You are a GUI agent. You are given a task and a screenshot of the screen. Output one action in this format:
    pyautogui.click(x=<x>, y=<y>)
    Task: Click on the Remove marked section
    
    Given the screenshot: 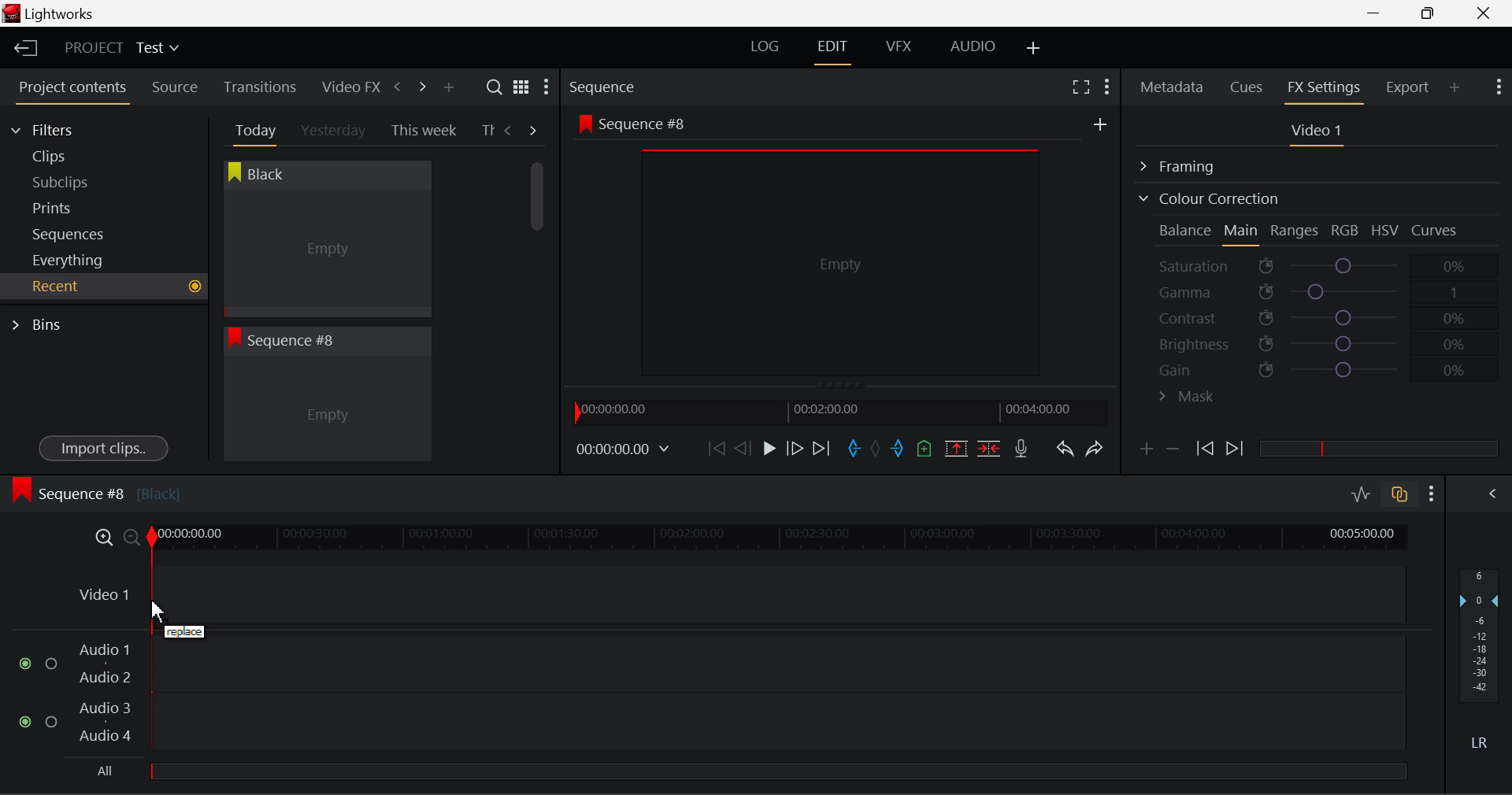 What is the action you would take?
    pyautogui.click(x=955, y=447)
    